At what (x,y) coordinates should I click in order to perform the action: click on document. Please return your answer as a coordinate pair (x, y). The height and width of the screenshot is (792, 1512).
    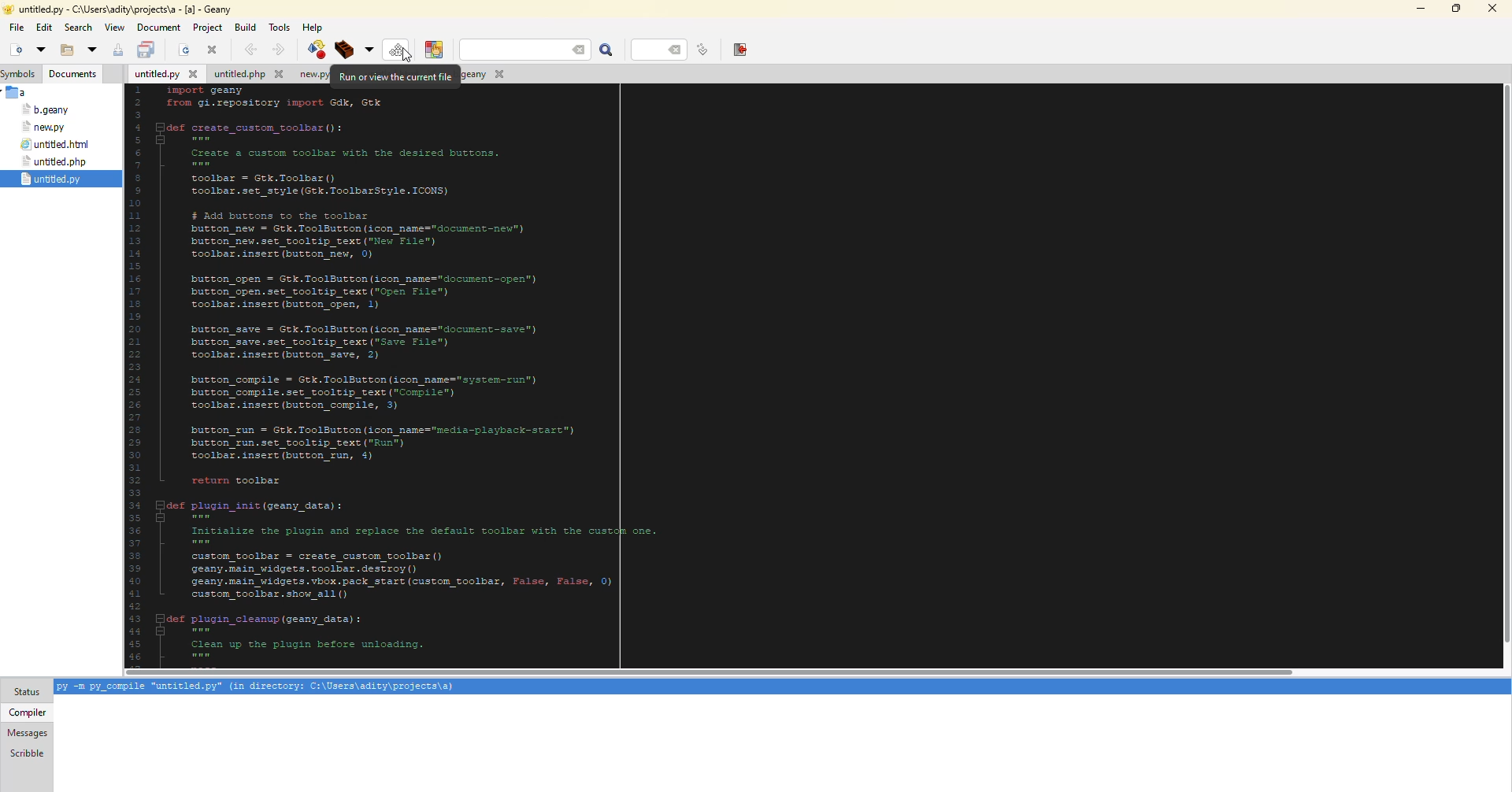
    Looking at the image, I should click on (159, 28).